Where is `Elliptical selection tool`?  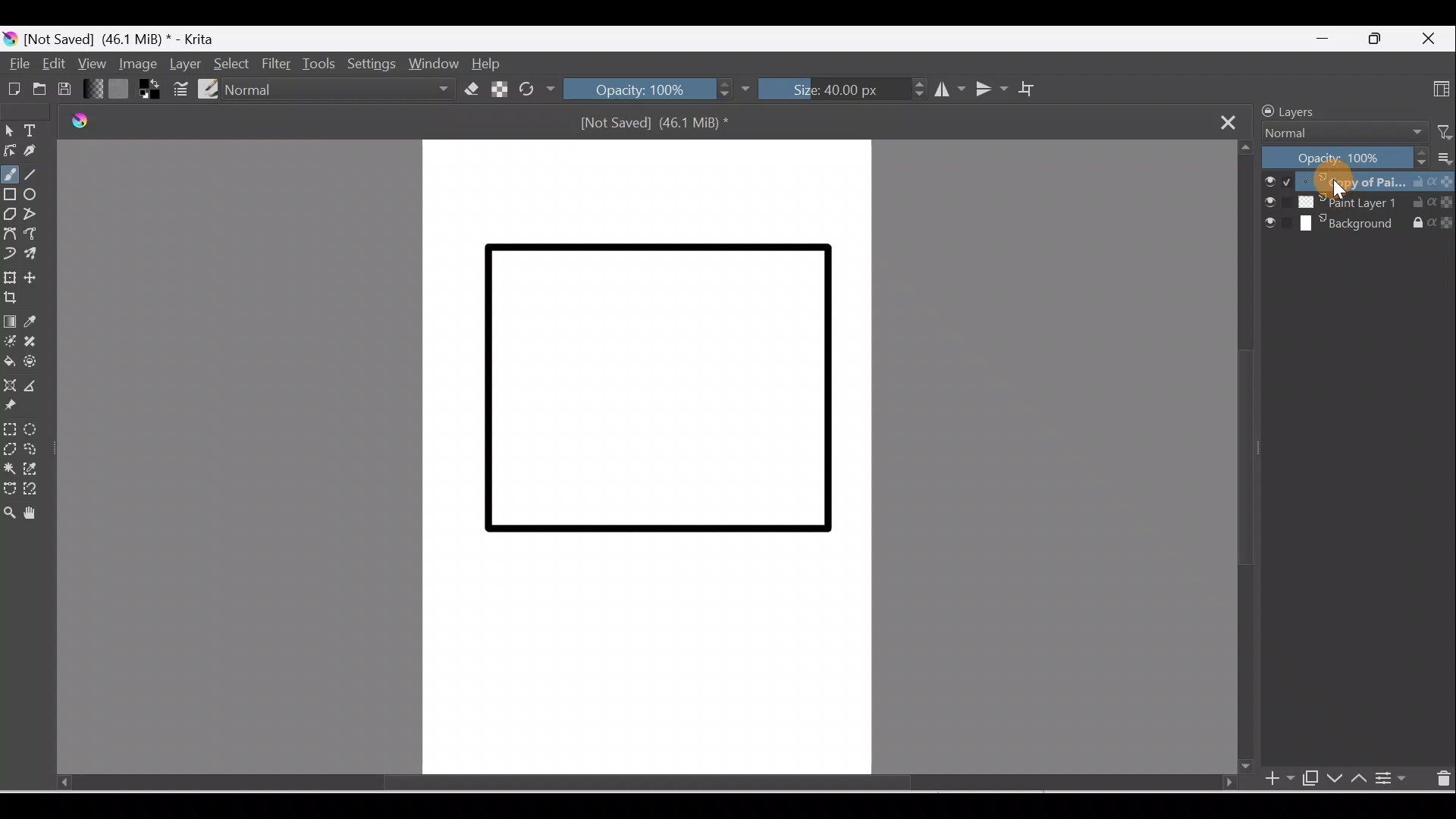
Elliptical selection tool is located at coordinates (34, 429).